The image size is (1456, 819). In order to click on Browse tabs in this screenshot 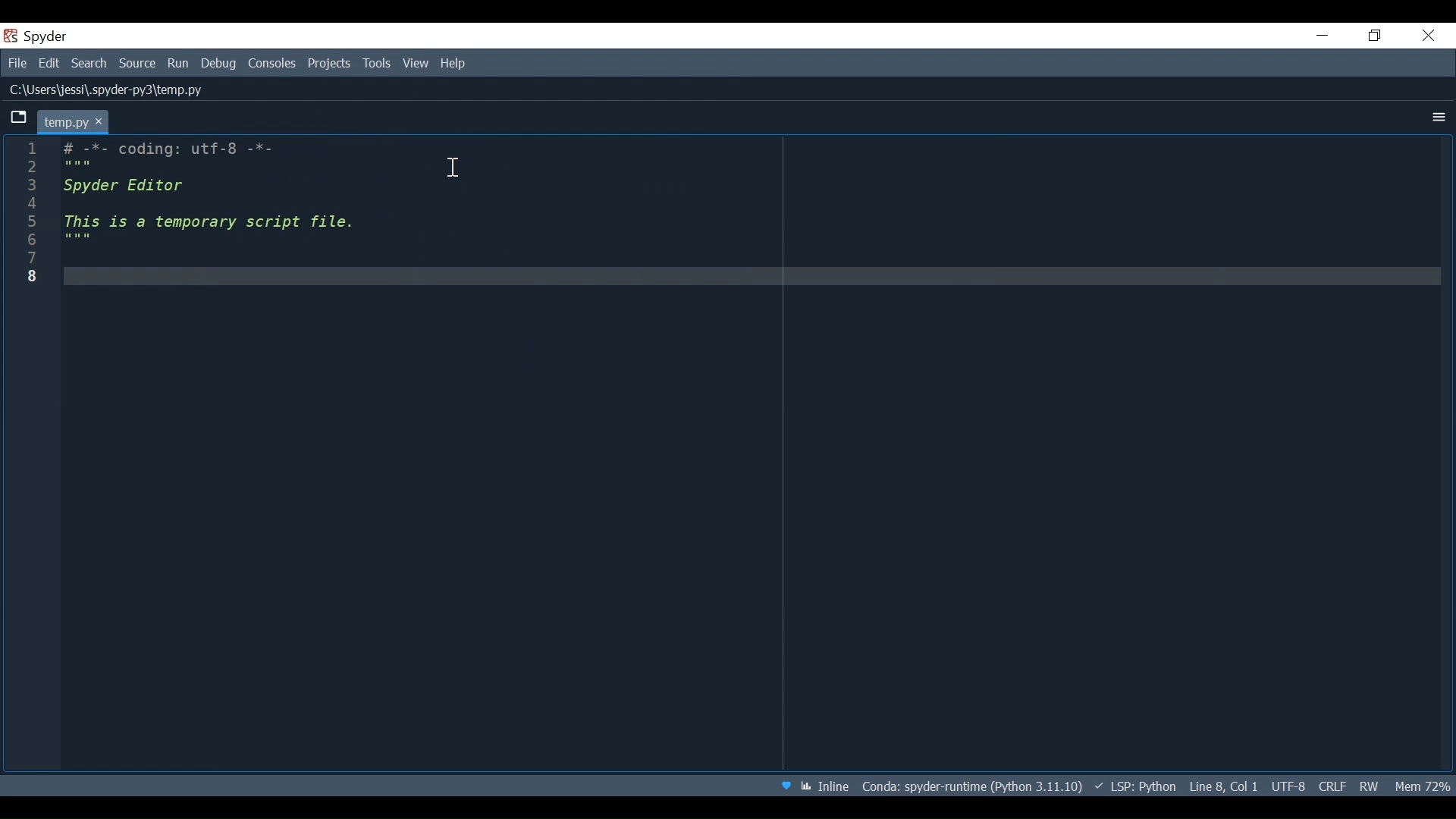, I will do `click(20, 118)`.